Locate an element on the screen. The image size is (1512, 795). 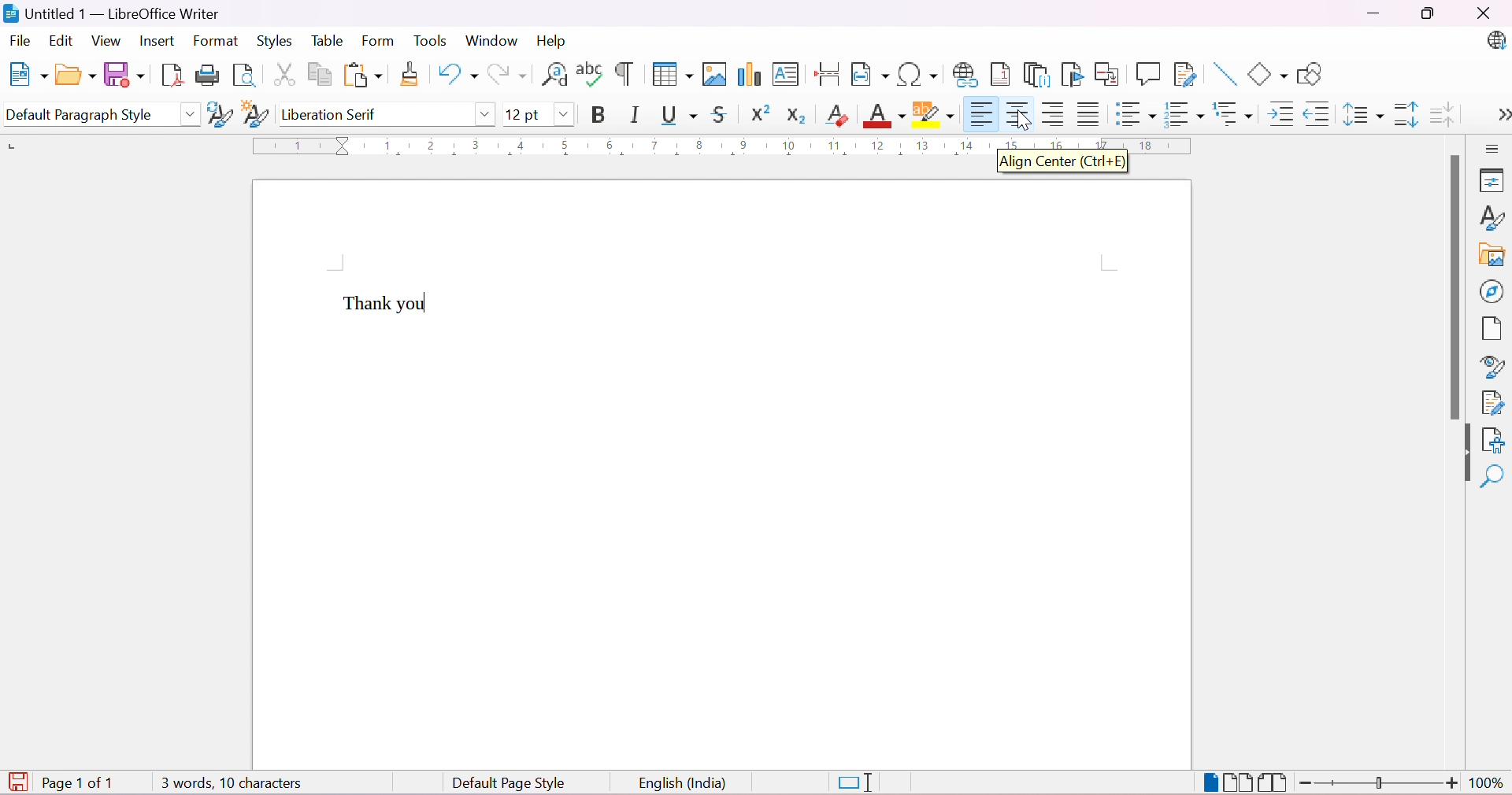
More is located at coordinates (1503, 113).